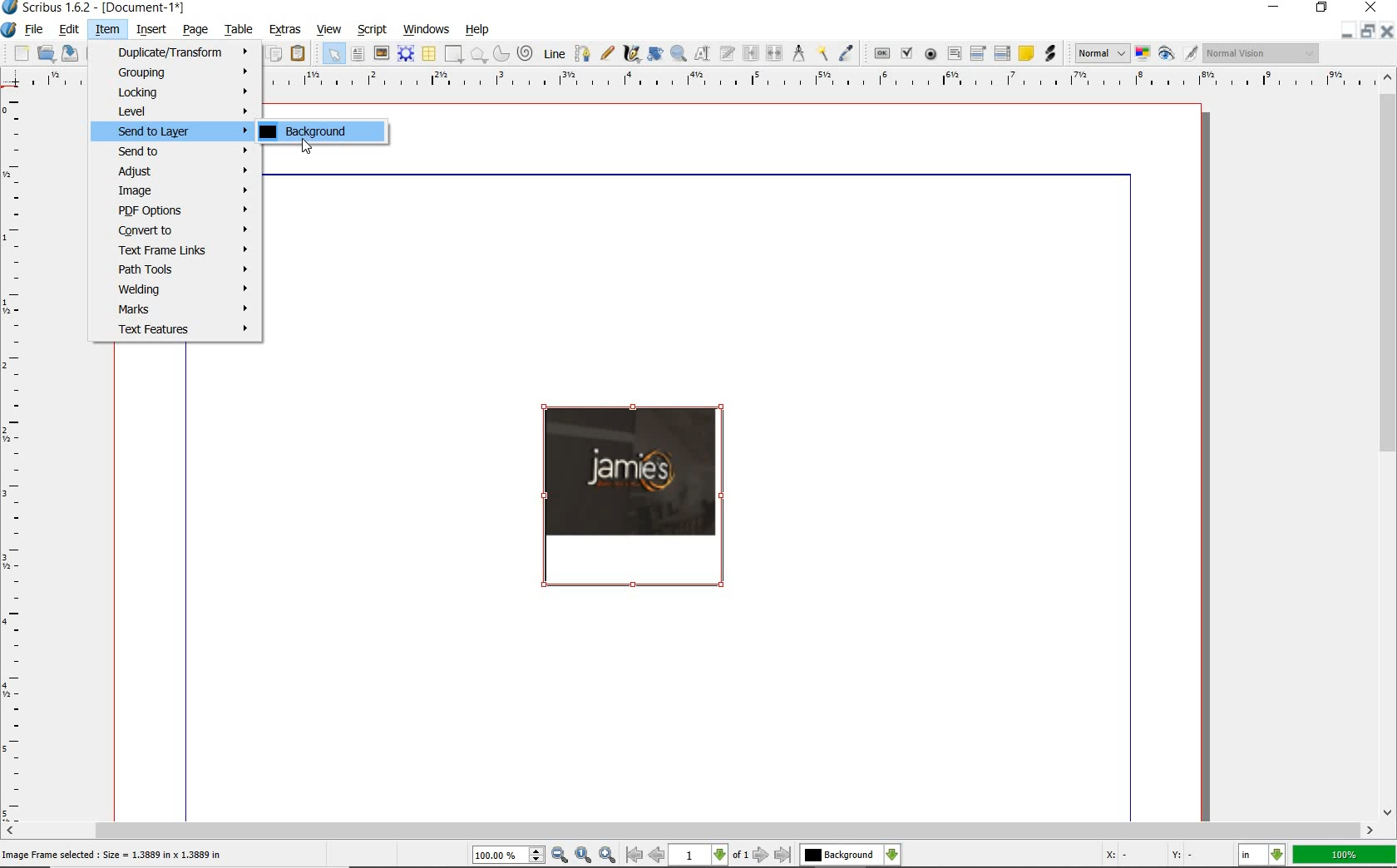 The image size is (1397, 868). What do you see at coordinates (584, 855) in the screenshot?
I see `Zoom to 100%` at bounding box center [584, 855].